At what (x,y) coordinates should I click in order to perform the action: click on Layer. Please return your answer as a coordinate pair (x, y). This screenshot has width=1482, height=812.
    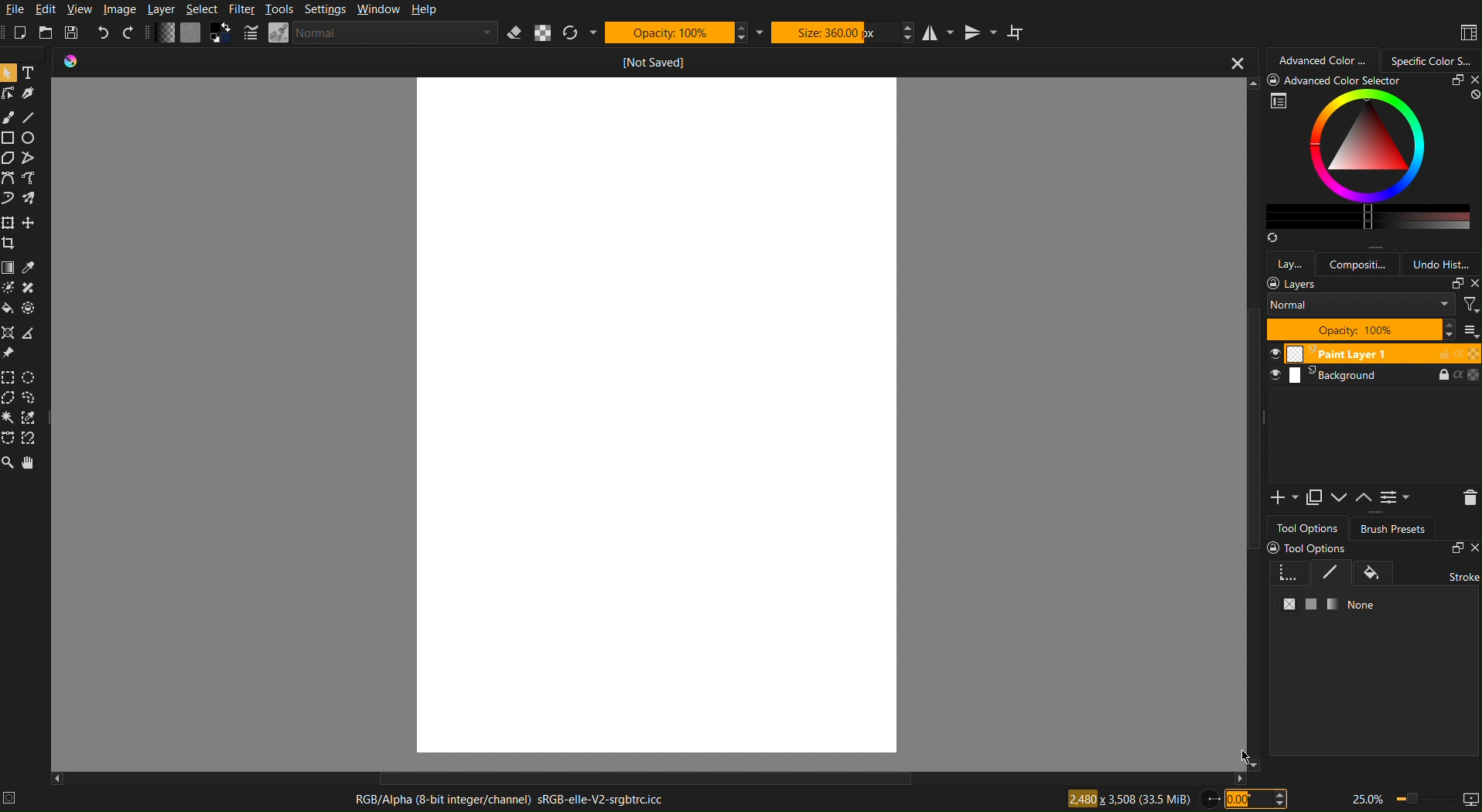
    Looking at the image, I should click on (162, 9).